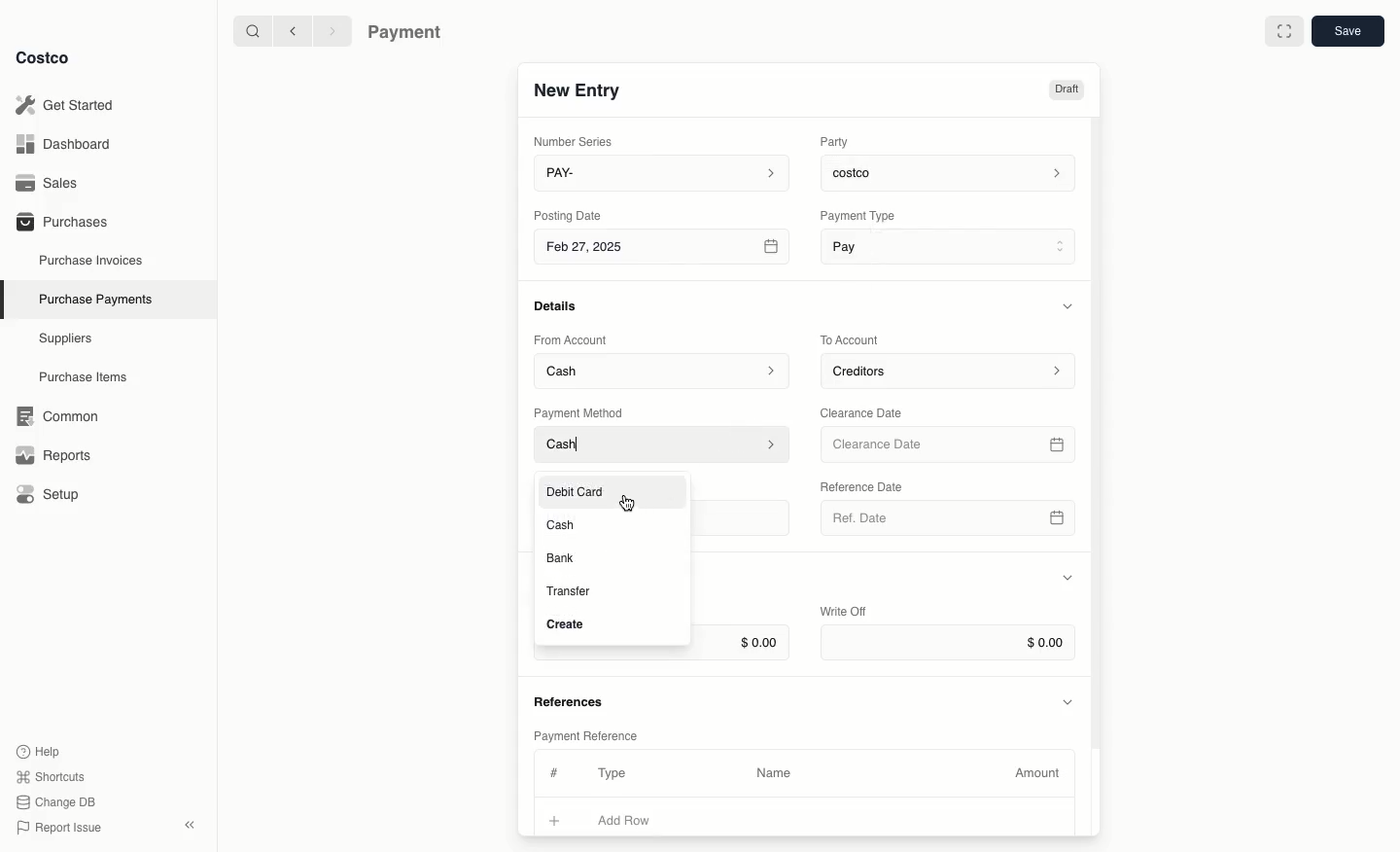  Describe the element at coordinates (844, 613) in the screenshot. I see `Write Off` at that location.